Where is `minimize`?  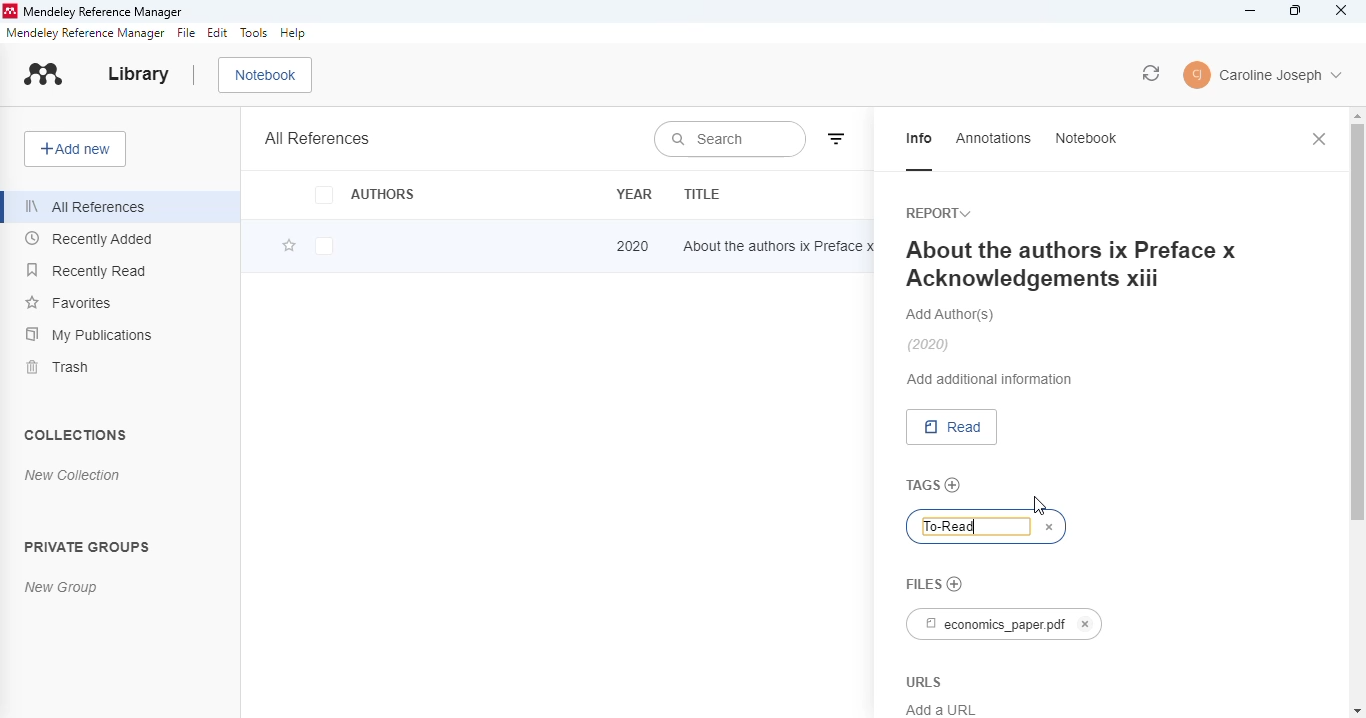 minimize is located at coordinates (1252, 11).